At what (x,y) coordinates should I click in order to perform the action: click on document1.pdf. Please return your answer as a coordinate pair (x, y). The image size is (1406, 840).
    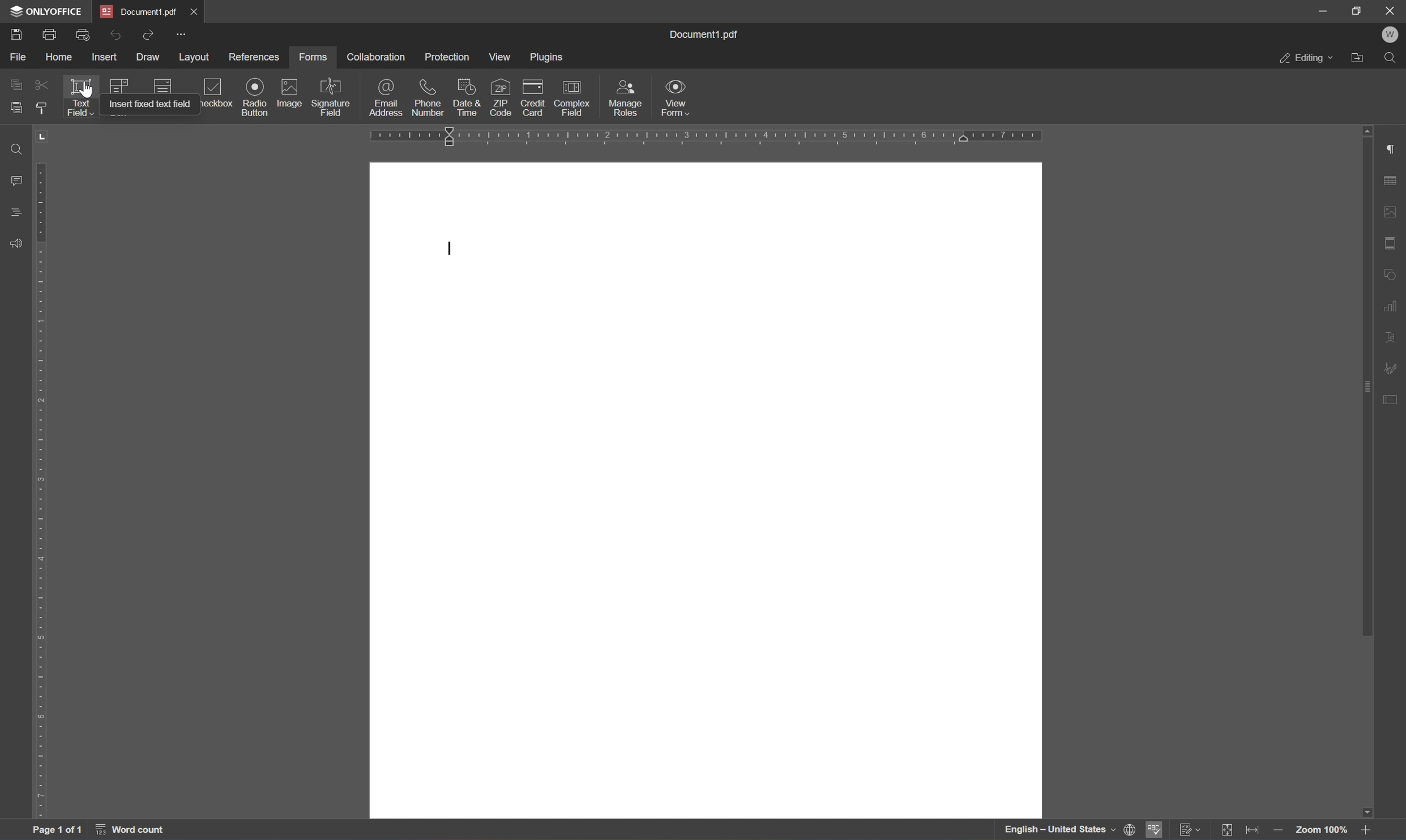
    Looking at the image, I should click on (702, 35).